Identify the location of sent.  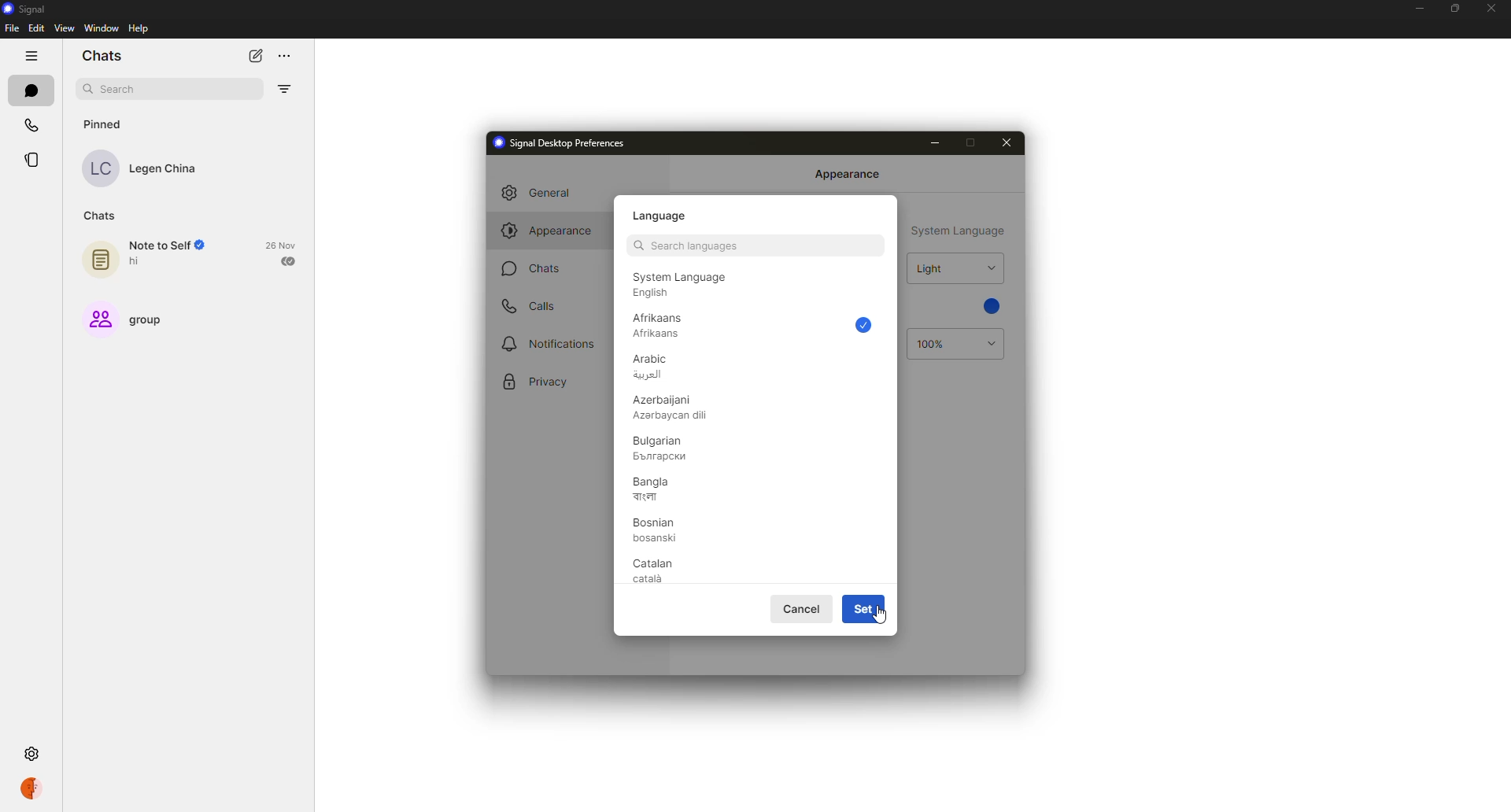
(289, 261).